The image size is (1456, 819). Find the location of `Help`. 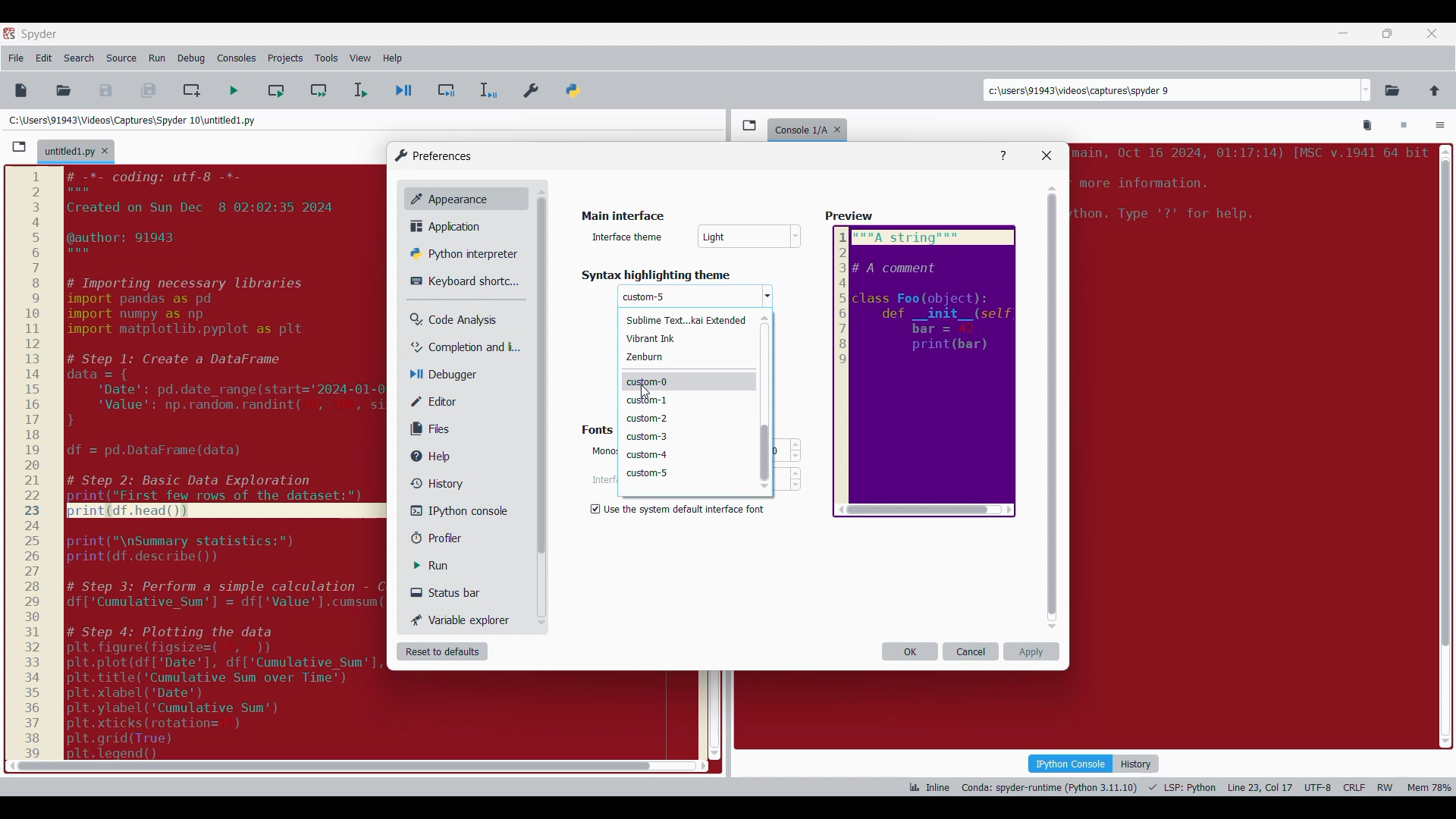

Help is located at coordinates (438, 457).